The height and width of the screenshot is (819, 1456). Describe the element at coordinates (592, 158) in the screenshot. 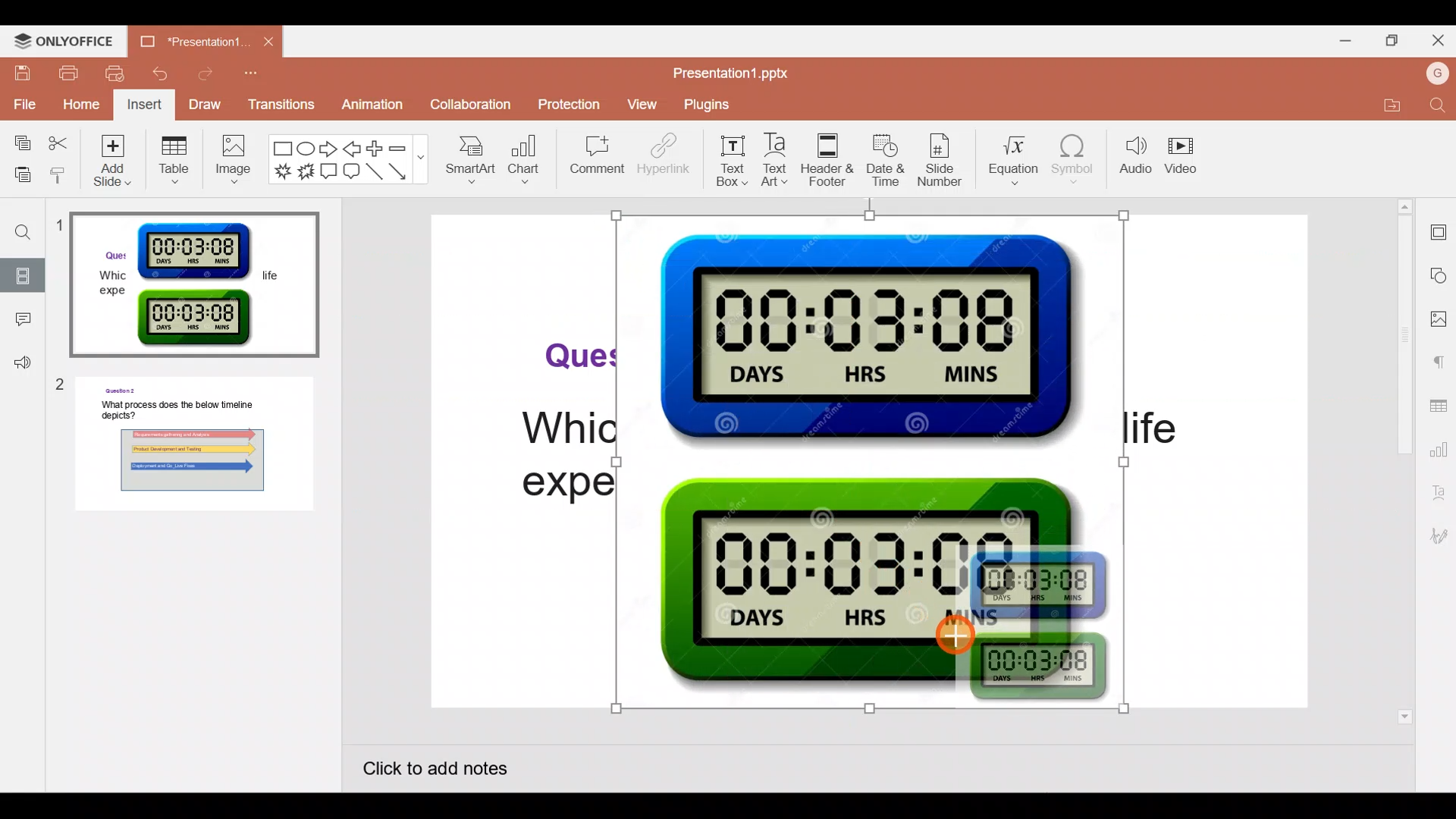

I see `Comment` at that location.